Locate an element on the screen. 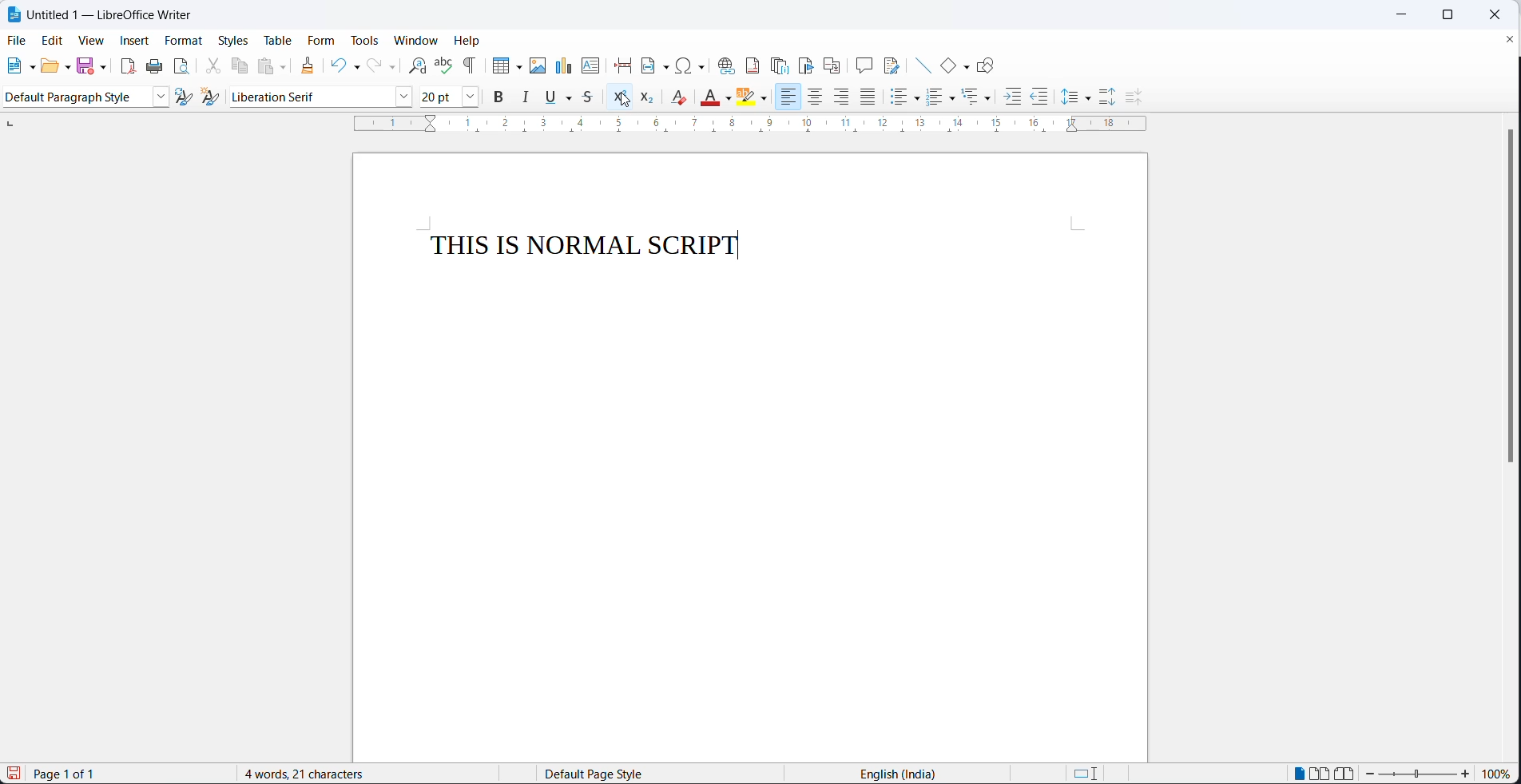 Image resolution: width=1521 pixels, height=784 pixels. subscript is located at coordinates (648, 97).